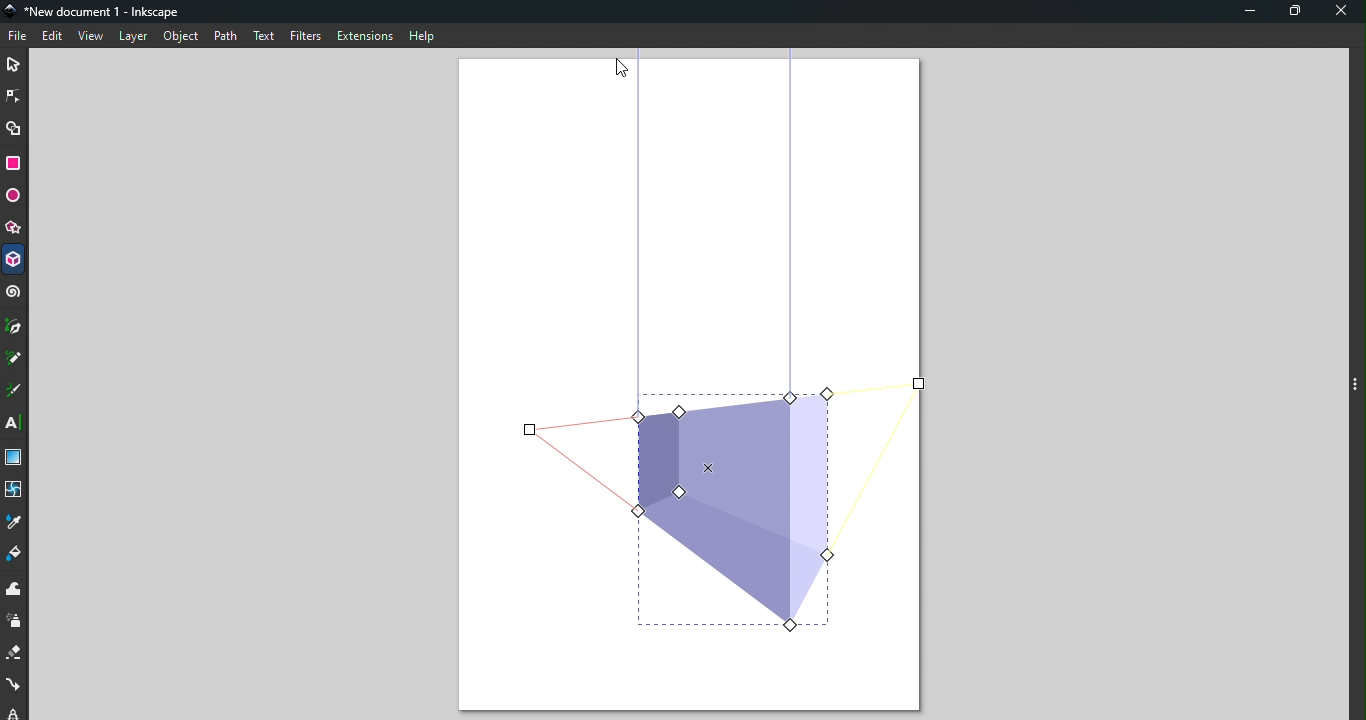  Describe the element at coordinates (51, 37) in the screenshot. I see `Edit` at that location.